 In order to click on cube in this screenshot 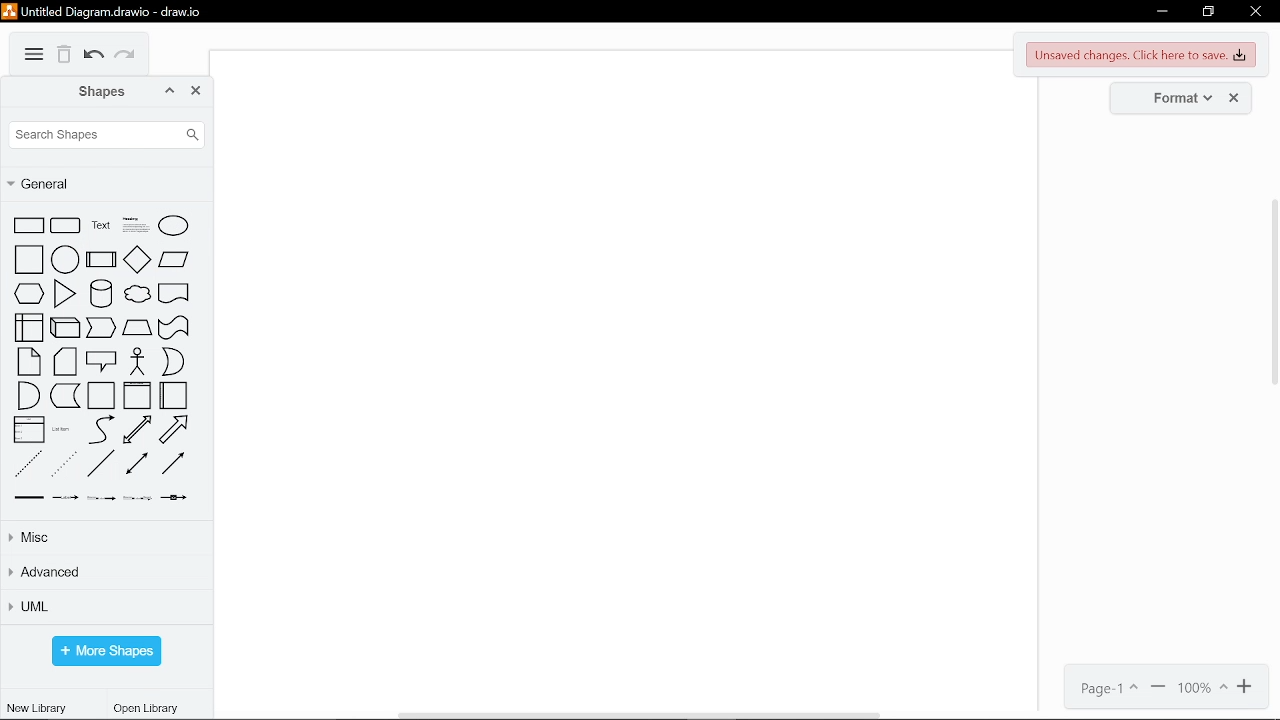, I will do `click(65, 328)`.